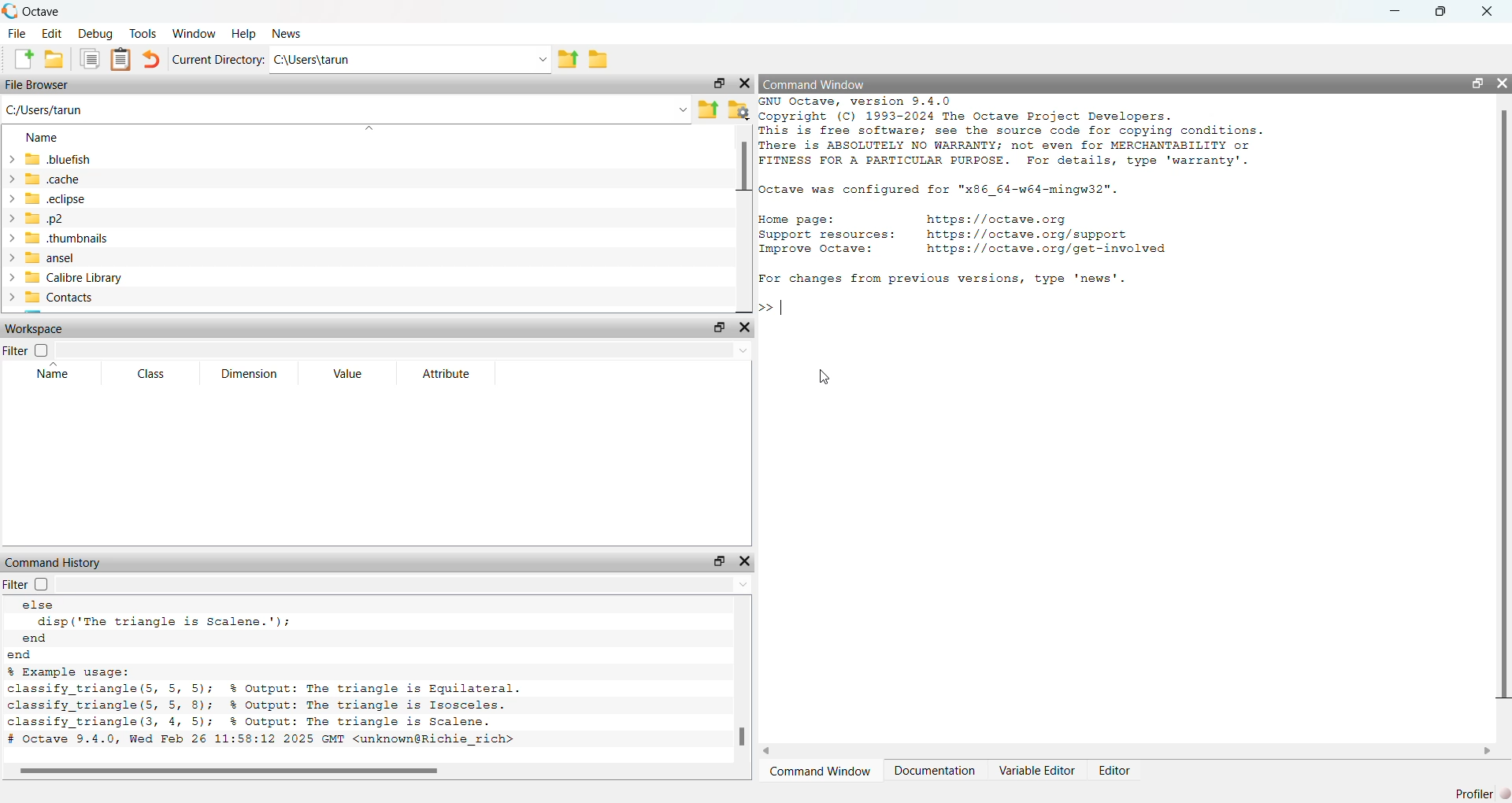 This screenshot has height=803, width=1512. Describe the element at coordinates (817, 85) in the screenshot. I see `command window` at that location.